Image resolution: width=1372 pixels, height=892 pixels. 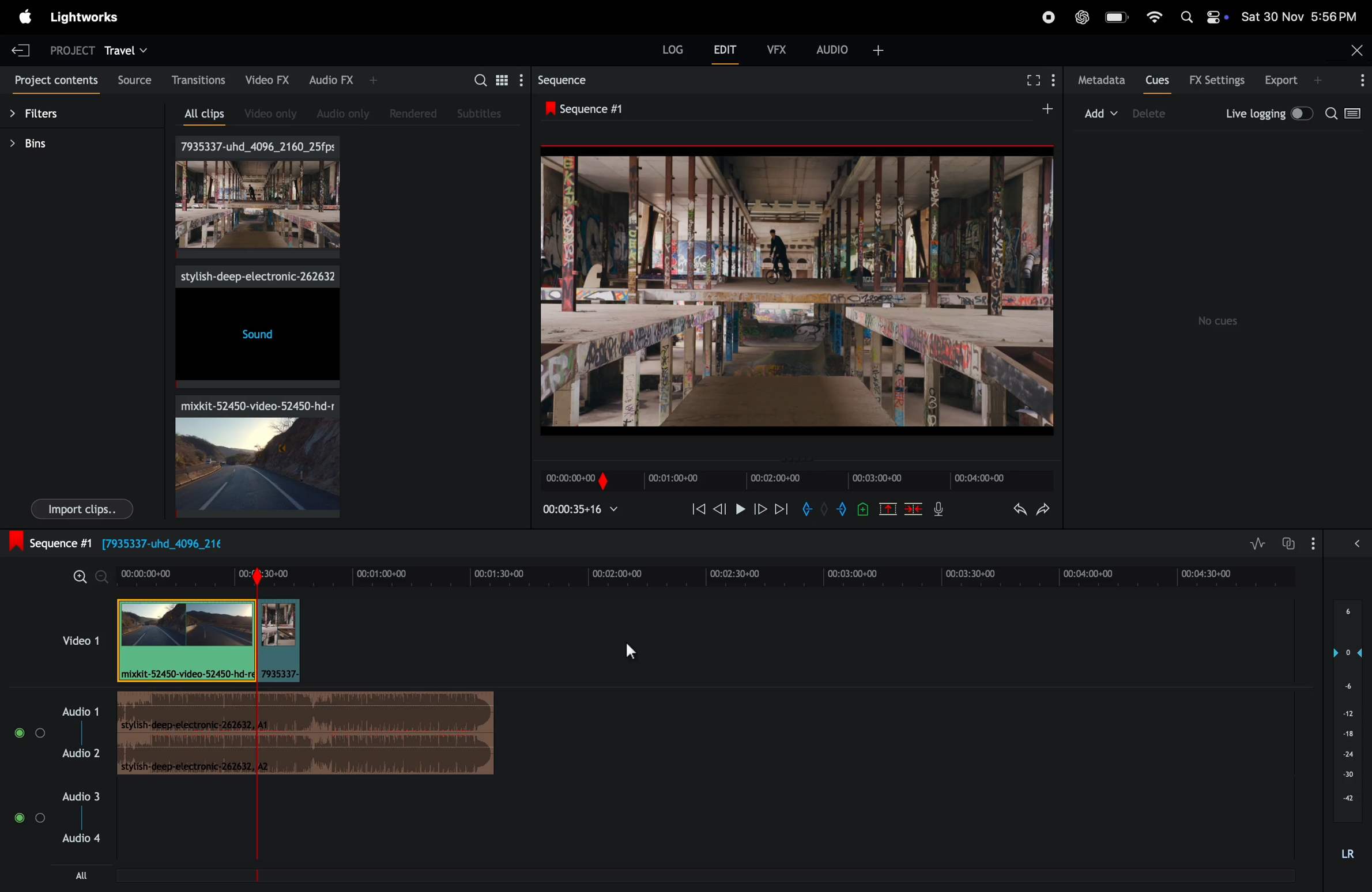 I want to click on audio only, so click(x=338, y=112).